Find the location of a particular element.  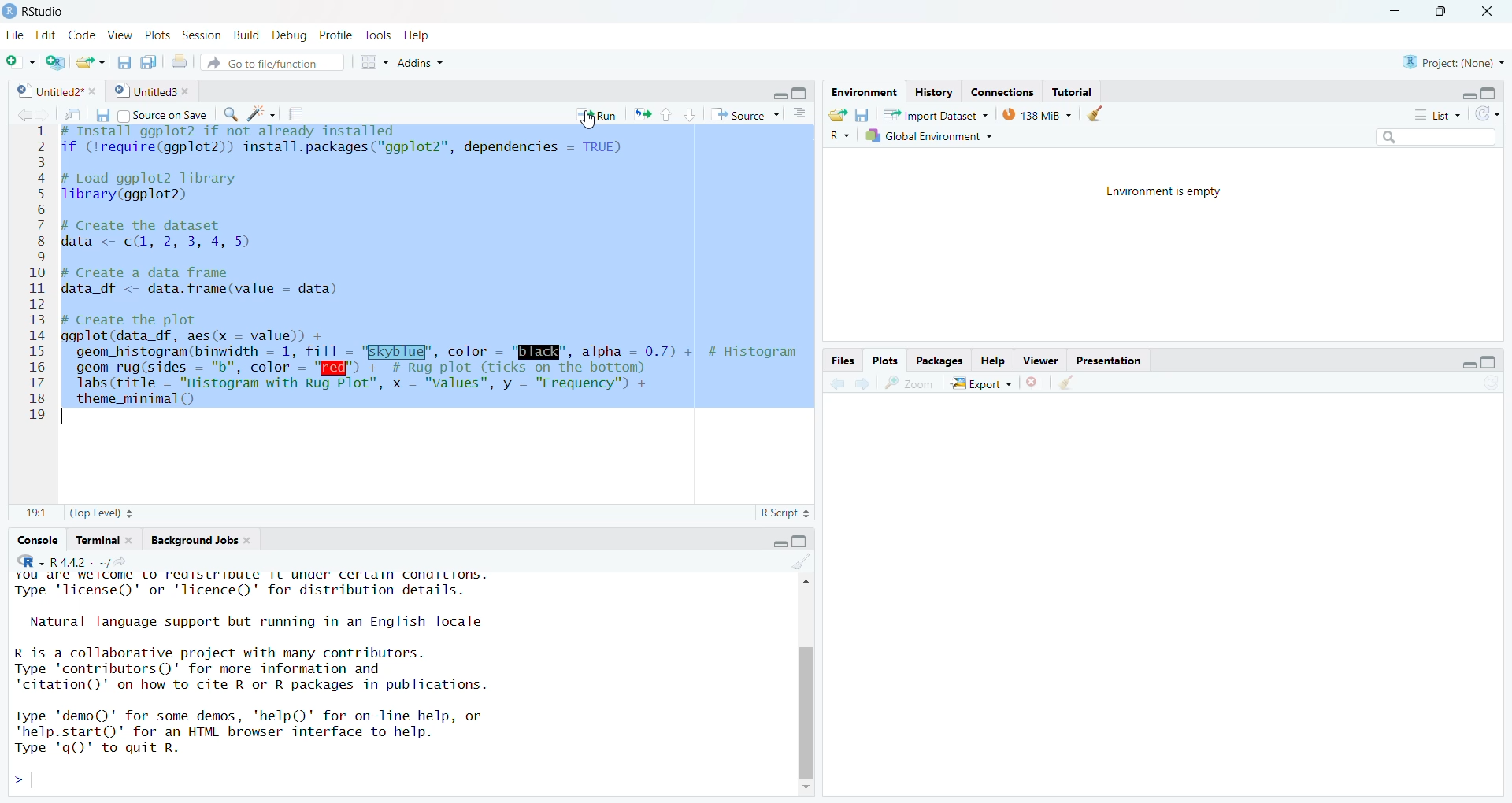

Help is located at coordinates (418, 33).